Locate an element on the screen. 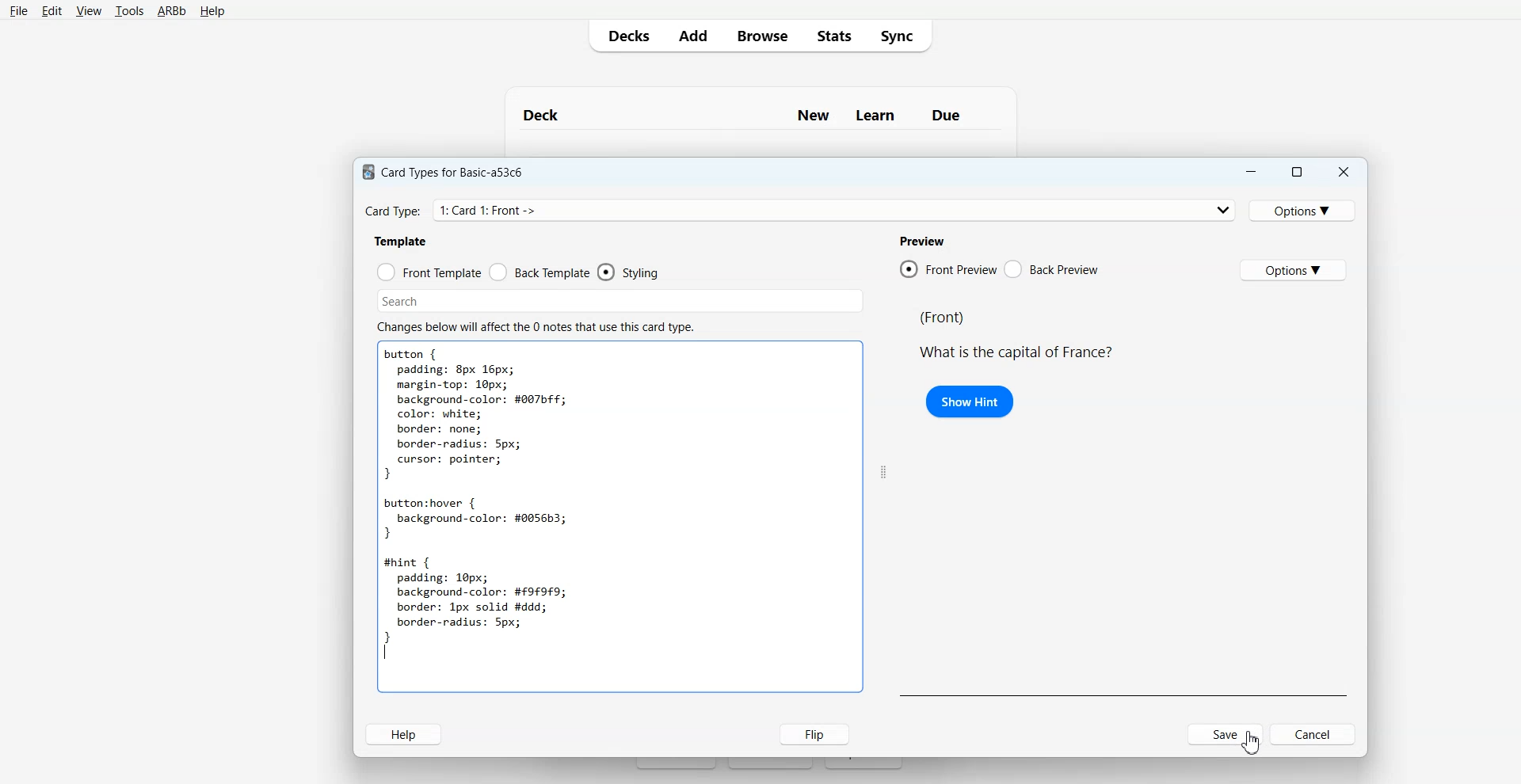 The image size is (1521, 784). Front Template is located at coordinates (429, 272).